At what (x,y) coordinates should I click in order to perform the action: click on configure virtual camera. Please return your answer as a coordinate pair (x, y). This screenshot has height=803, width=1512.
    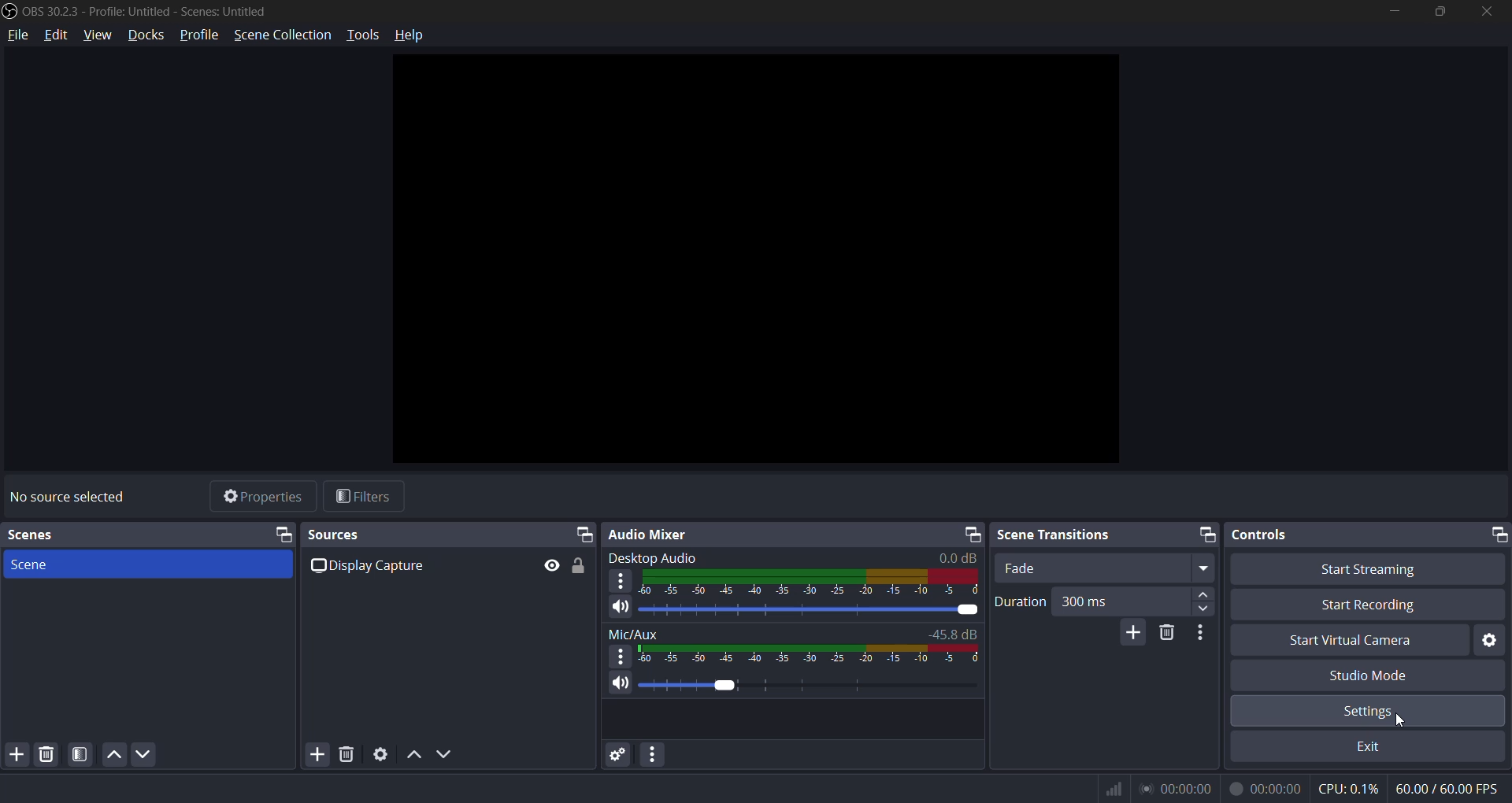
    Looking at the image, I should click on (1489, 639).